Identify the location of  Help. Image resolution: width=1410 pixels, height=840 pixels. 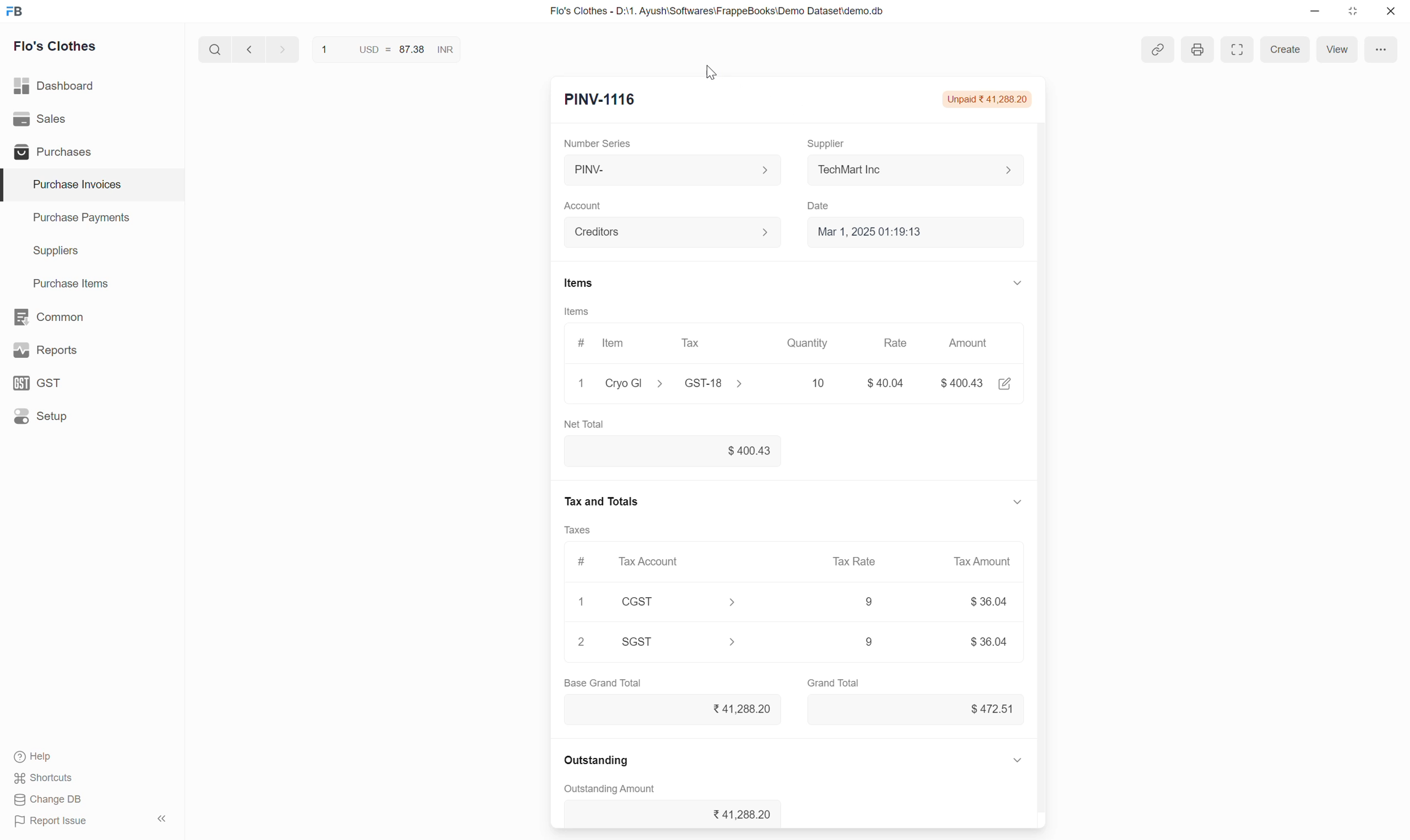
(46, 758).